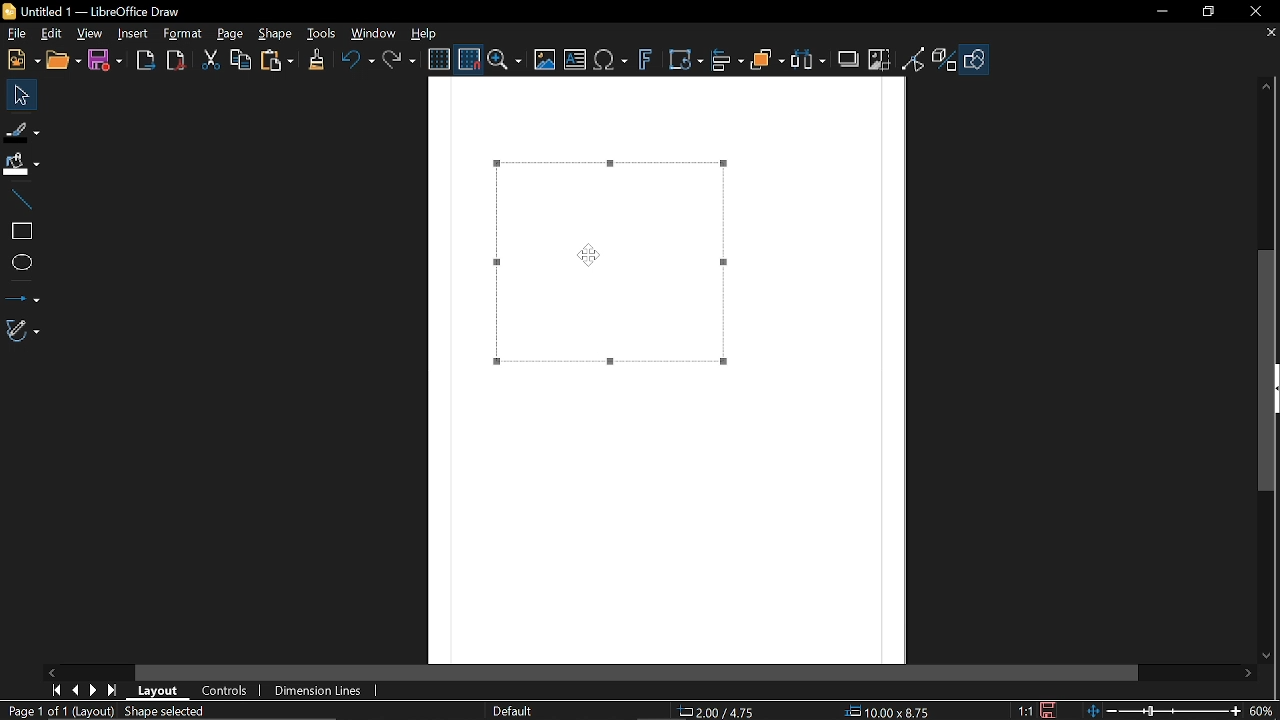  Describe the element at coordinates (20, 261) in the screenshot. I see `Ellipse` at that location.